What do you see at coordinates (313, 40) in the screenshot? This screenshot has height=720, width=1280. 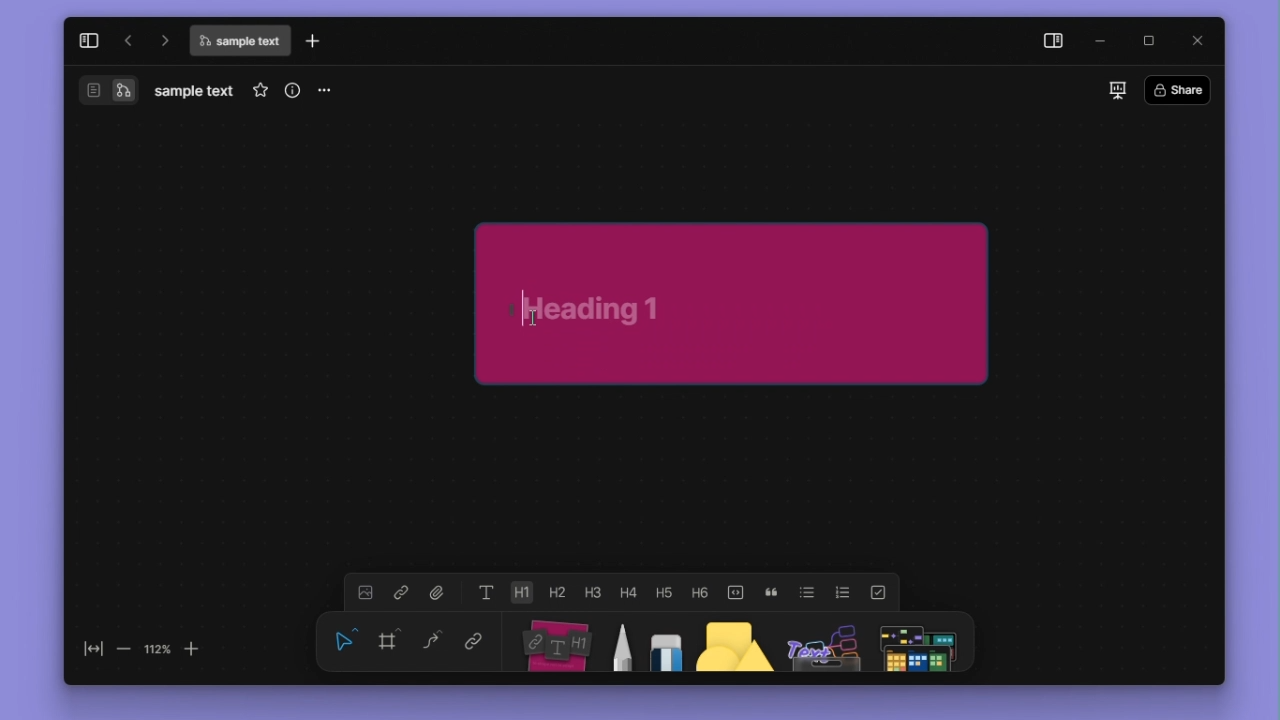 I see `new tab` at bounding box center [313, 40].